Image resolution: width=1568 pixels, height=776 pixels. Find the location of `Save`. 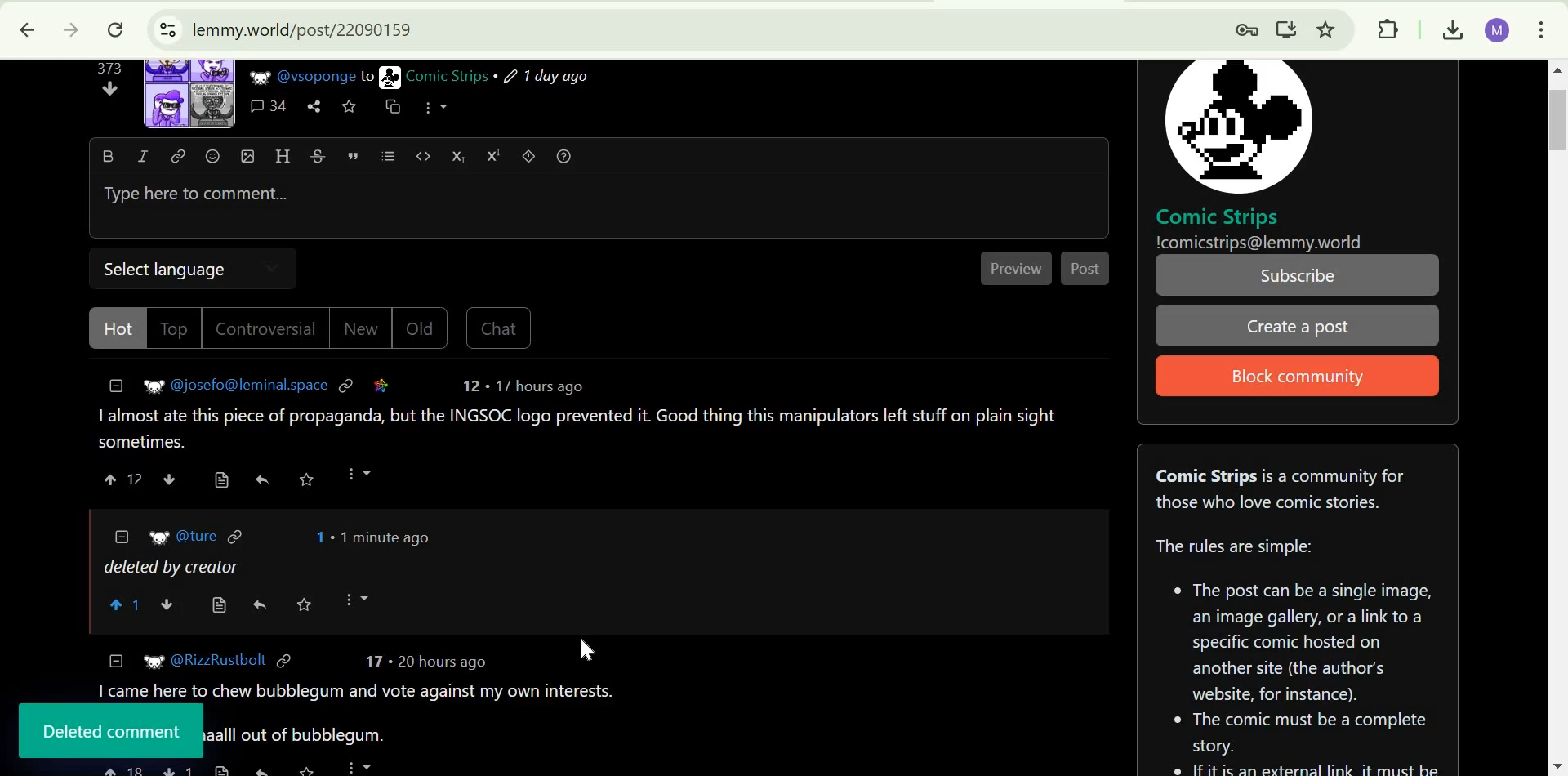

Save is located at coordinates (349, 107).